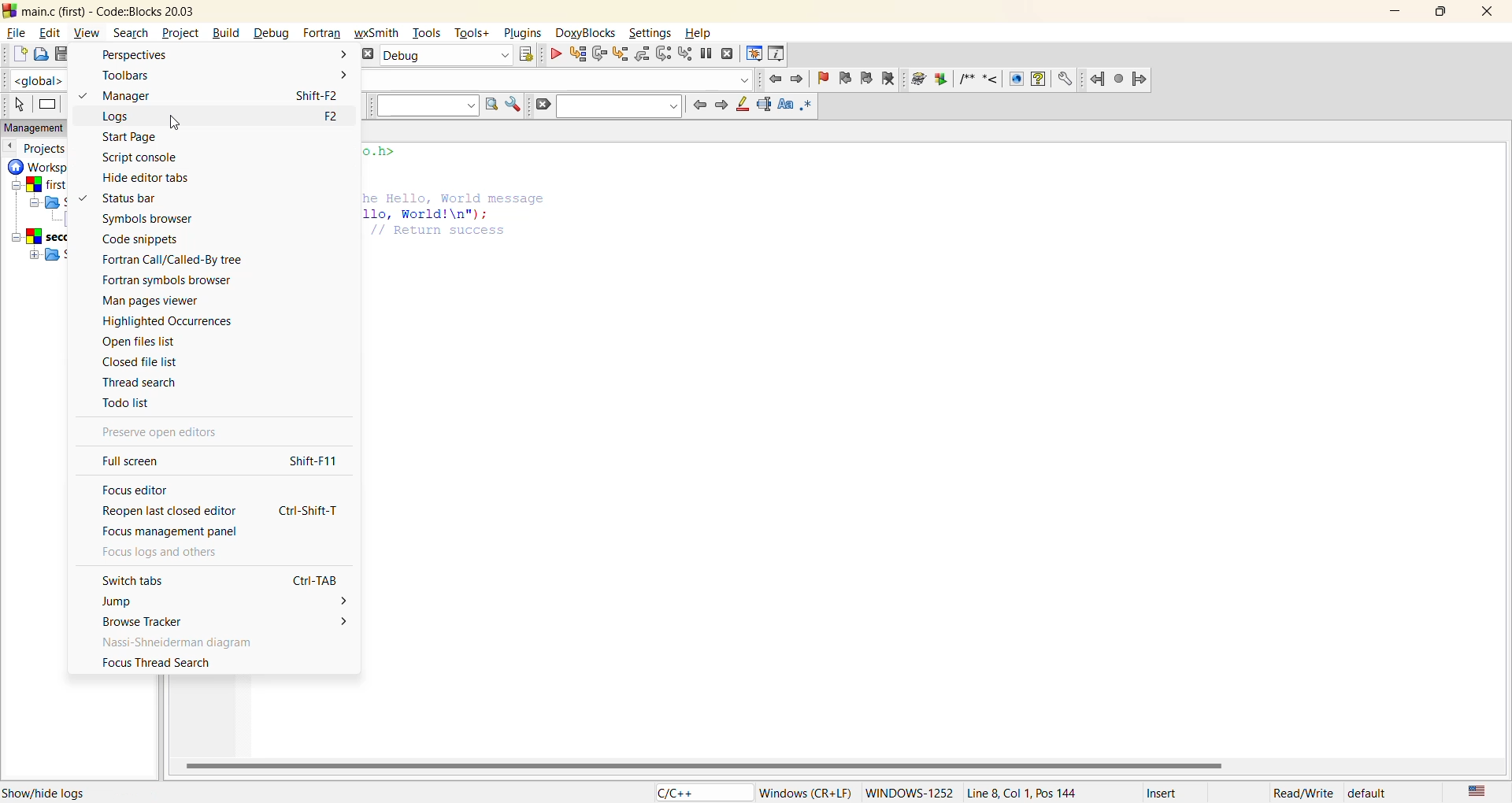 This screenshot has height=803, width=1512. Describe the element at coordinates (454, 204) in the screenshot. I see `code` at that location.